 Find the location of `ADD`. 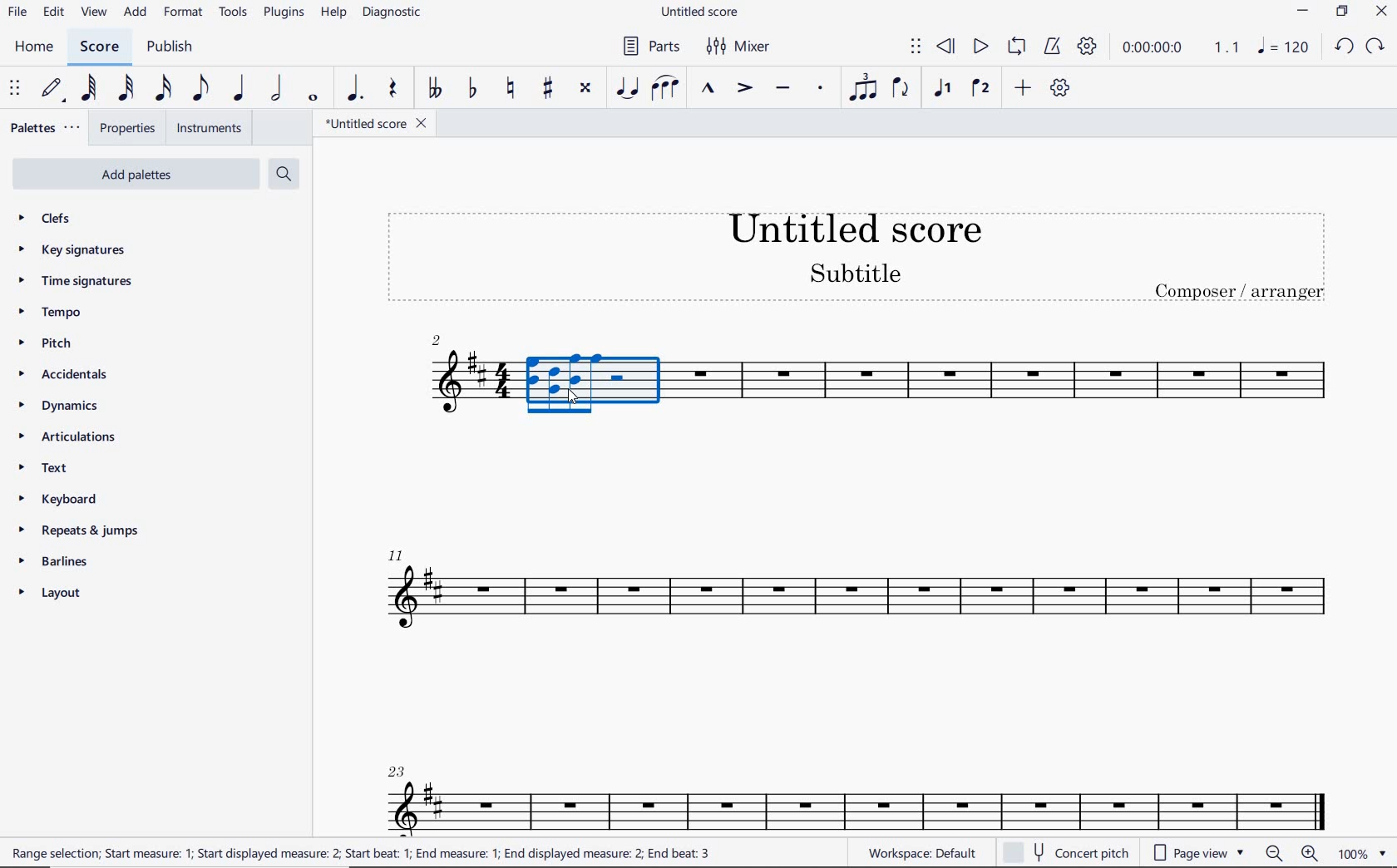

ADD is located at coordinates (136, 13).